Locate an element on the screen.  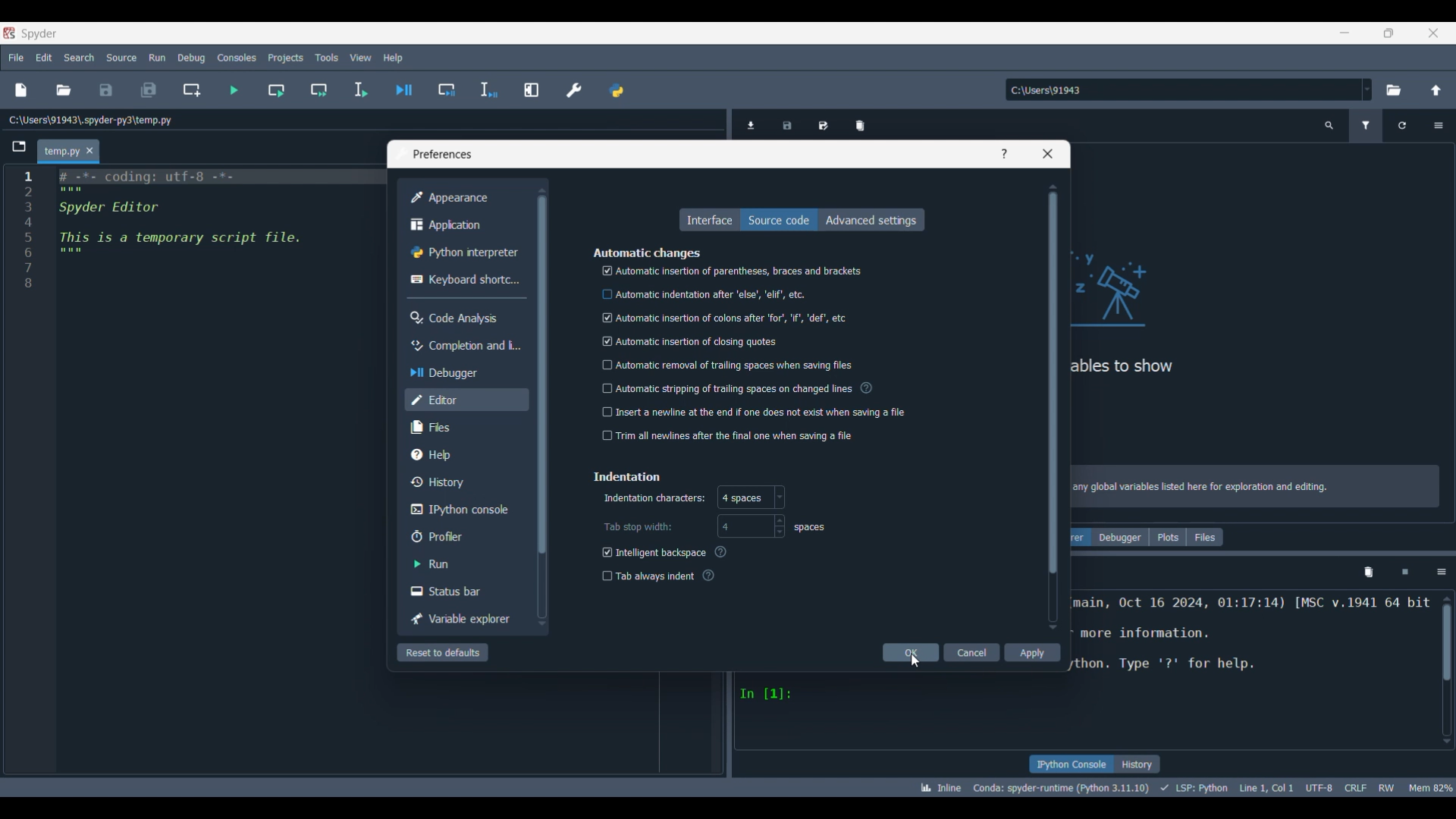
Remove all variables from namespace is located at coordinates (1368, 573).